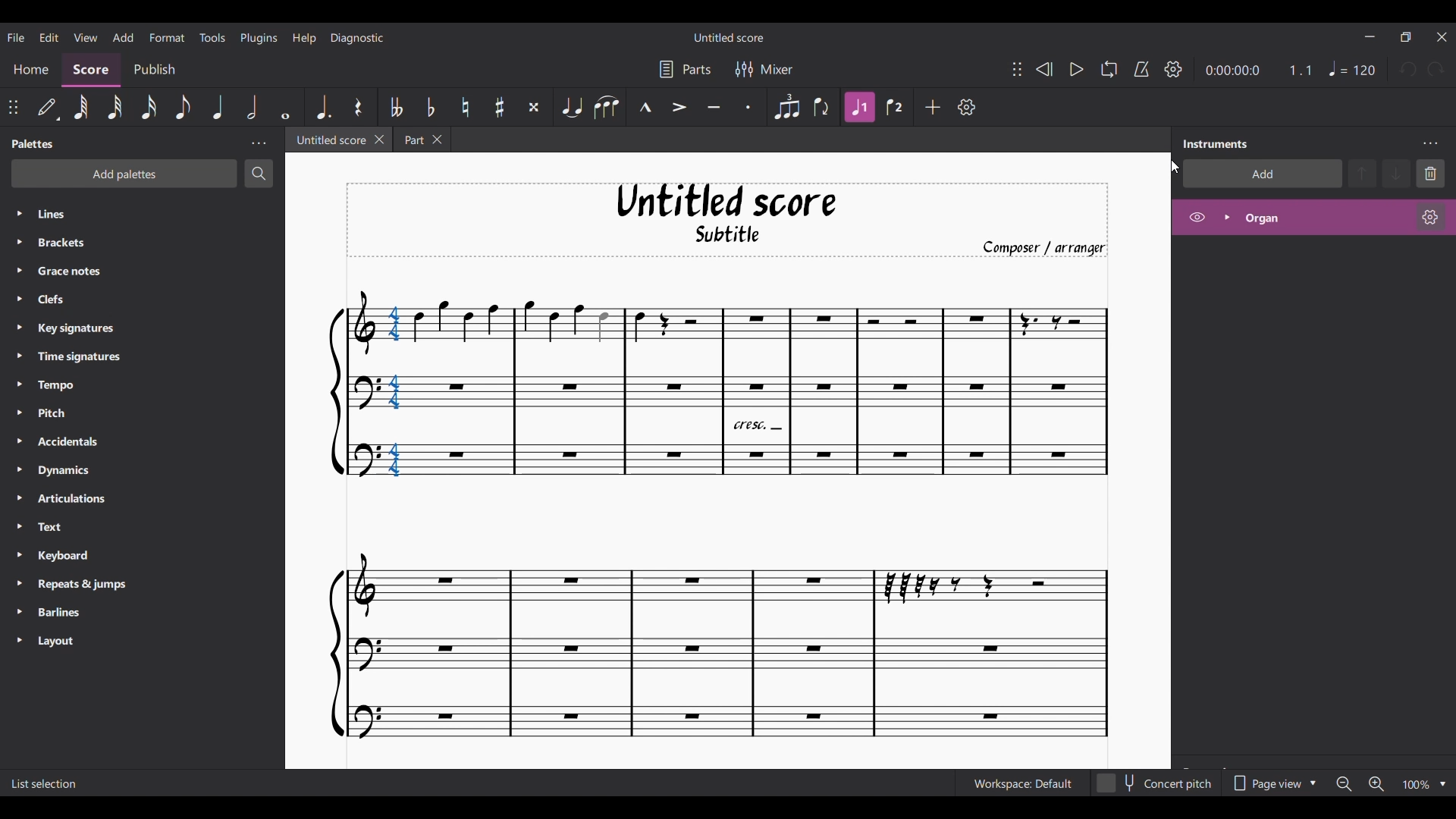  What do you see at coordinates (1197, 217) in the screenshot?
I see `Hide organ` at bounding box center [1197, 217].